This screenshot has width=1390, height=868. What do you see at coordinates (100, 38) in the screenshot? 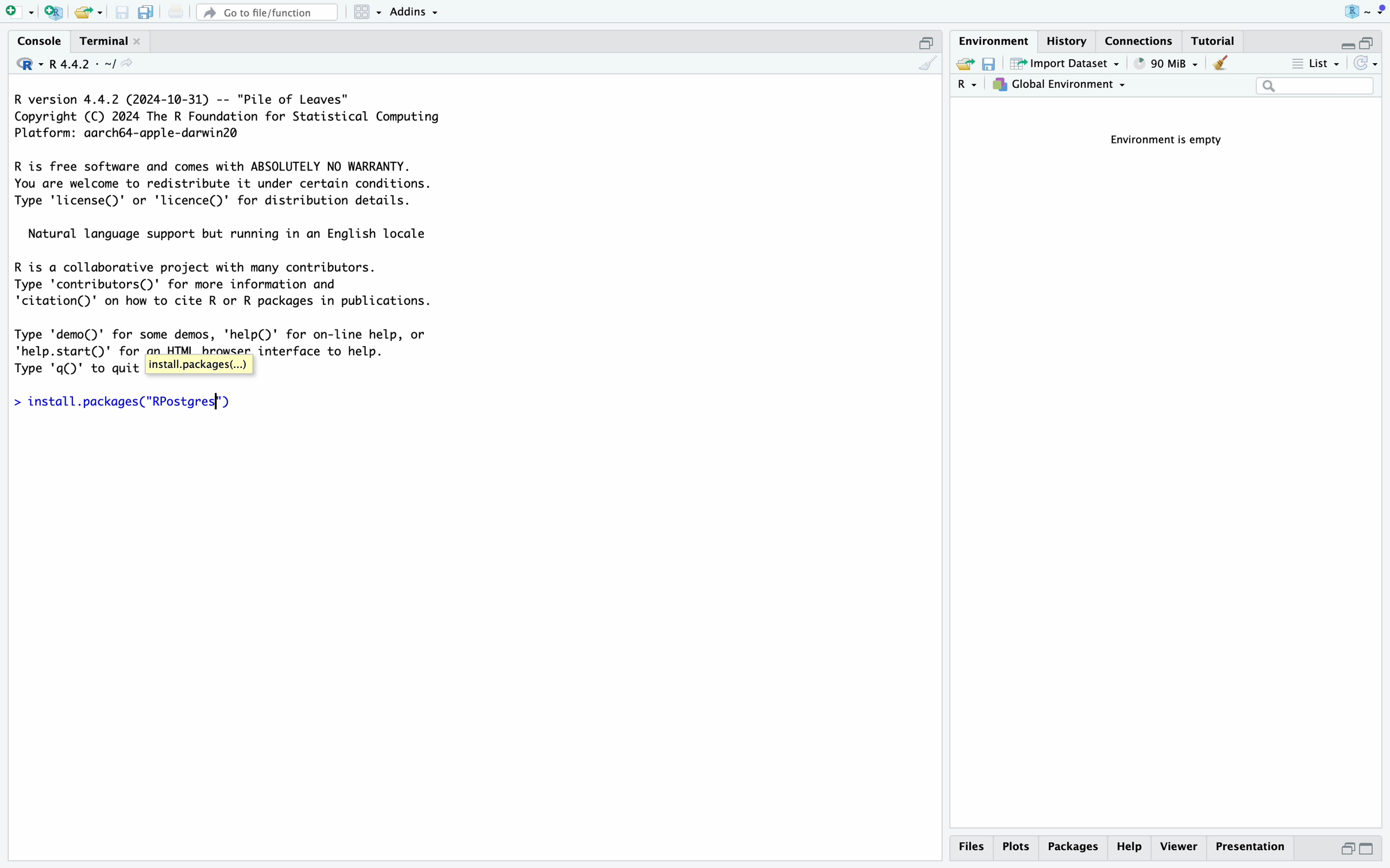
I see `terminal` at bounding box center [100, 38].